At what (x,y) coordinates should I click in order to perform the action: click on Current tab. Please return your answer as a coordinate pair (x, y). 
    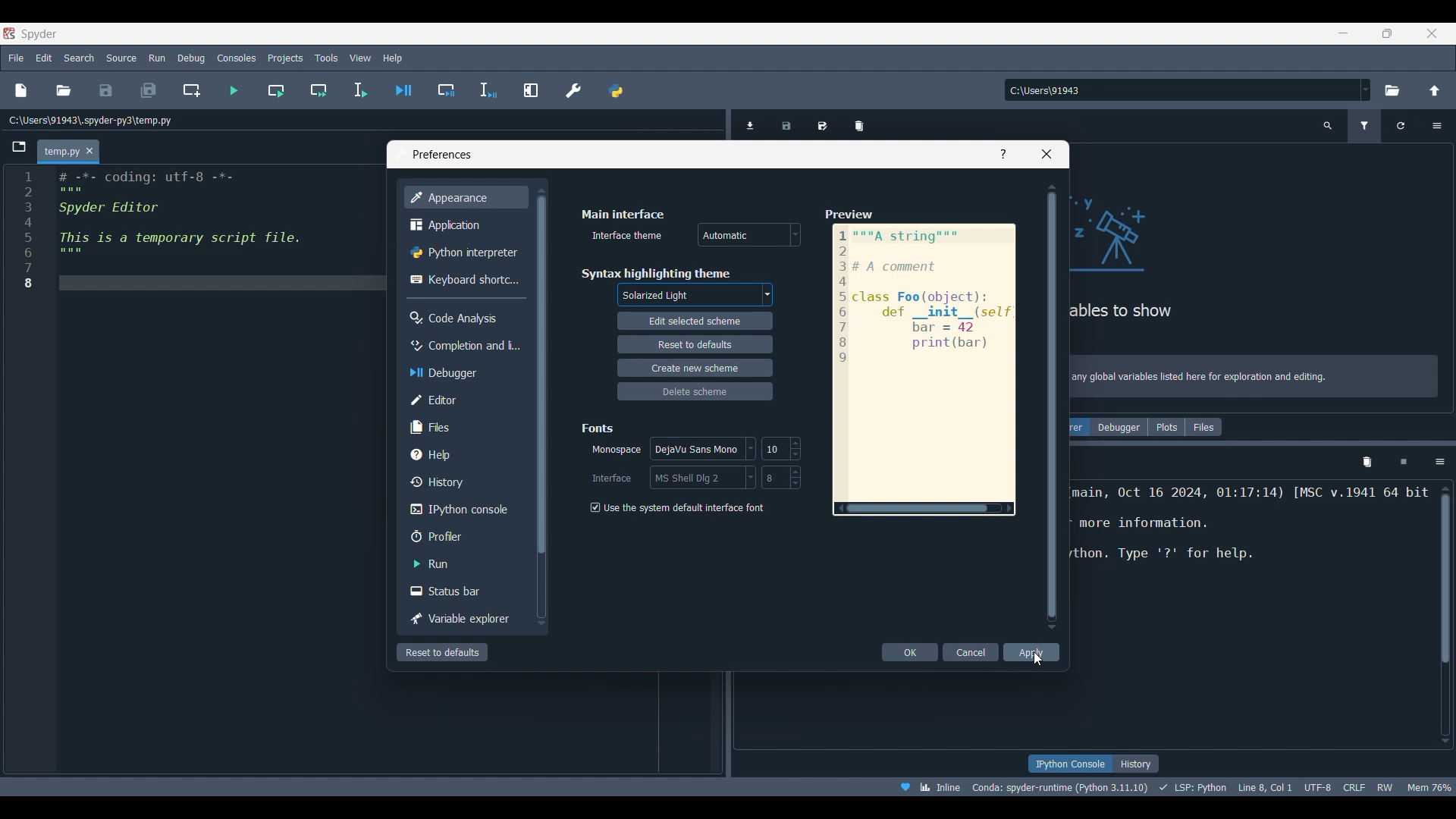
    Looking at the image, I should click on (59, 152).